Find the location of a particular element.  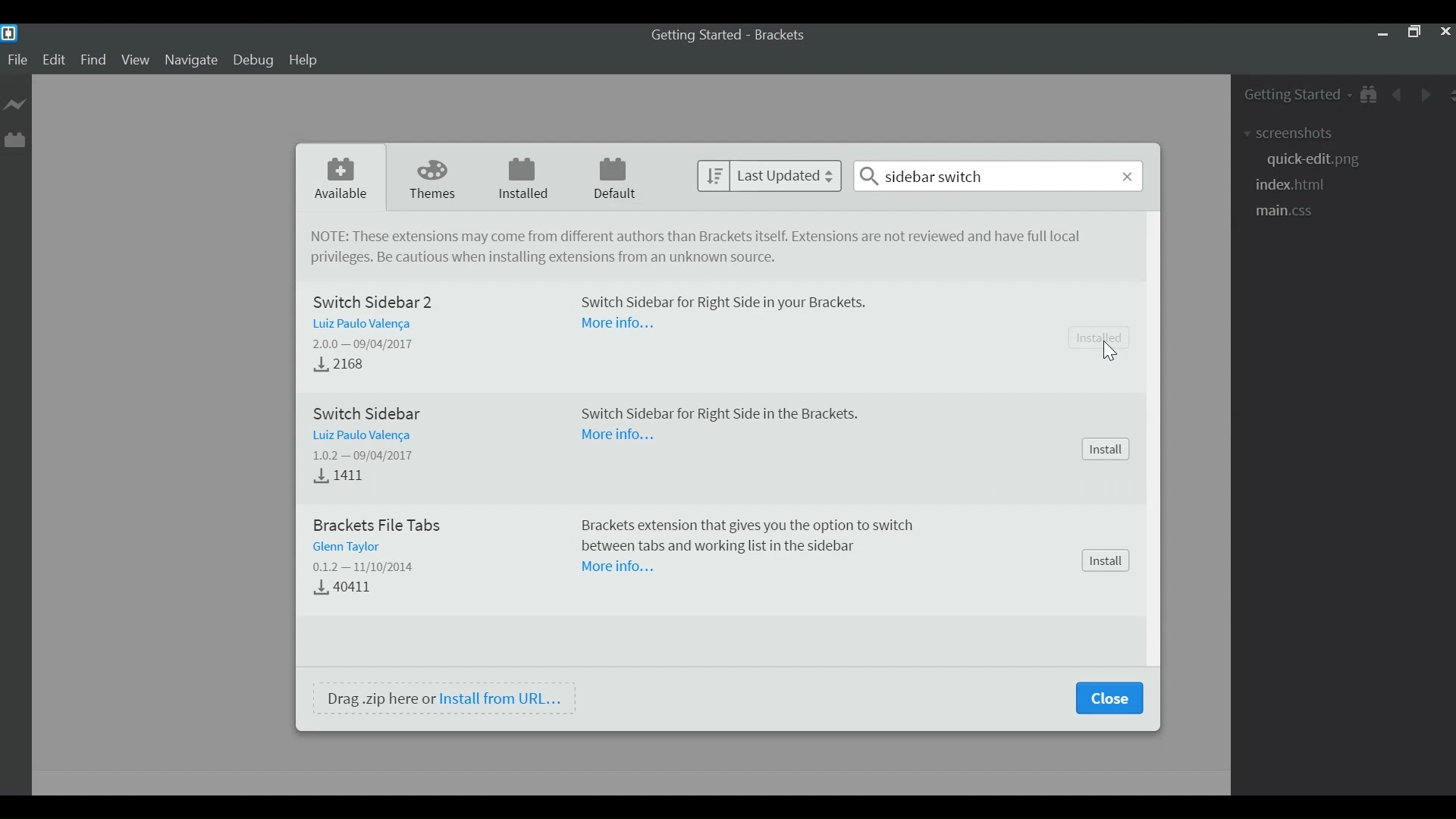

Switch Sidebar for Right Side in your Brackets is located at coordinates (732, 300).